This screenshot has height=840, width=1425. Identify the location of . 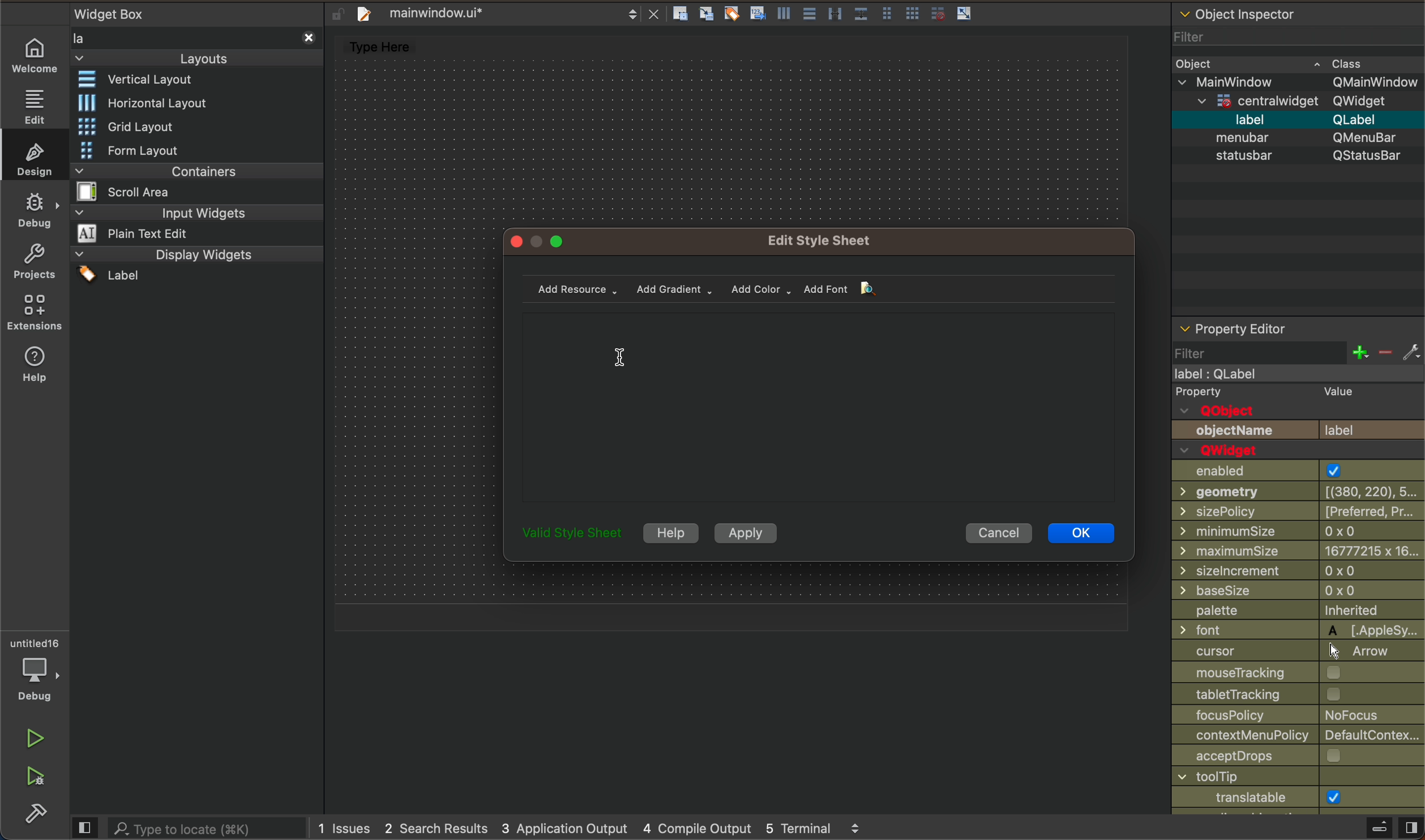
(1266, 695).